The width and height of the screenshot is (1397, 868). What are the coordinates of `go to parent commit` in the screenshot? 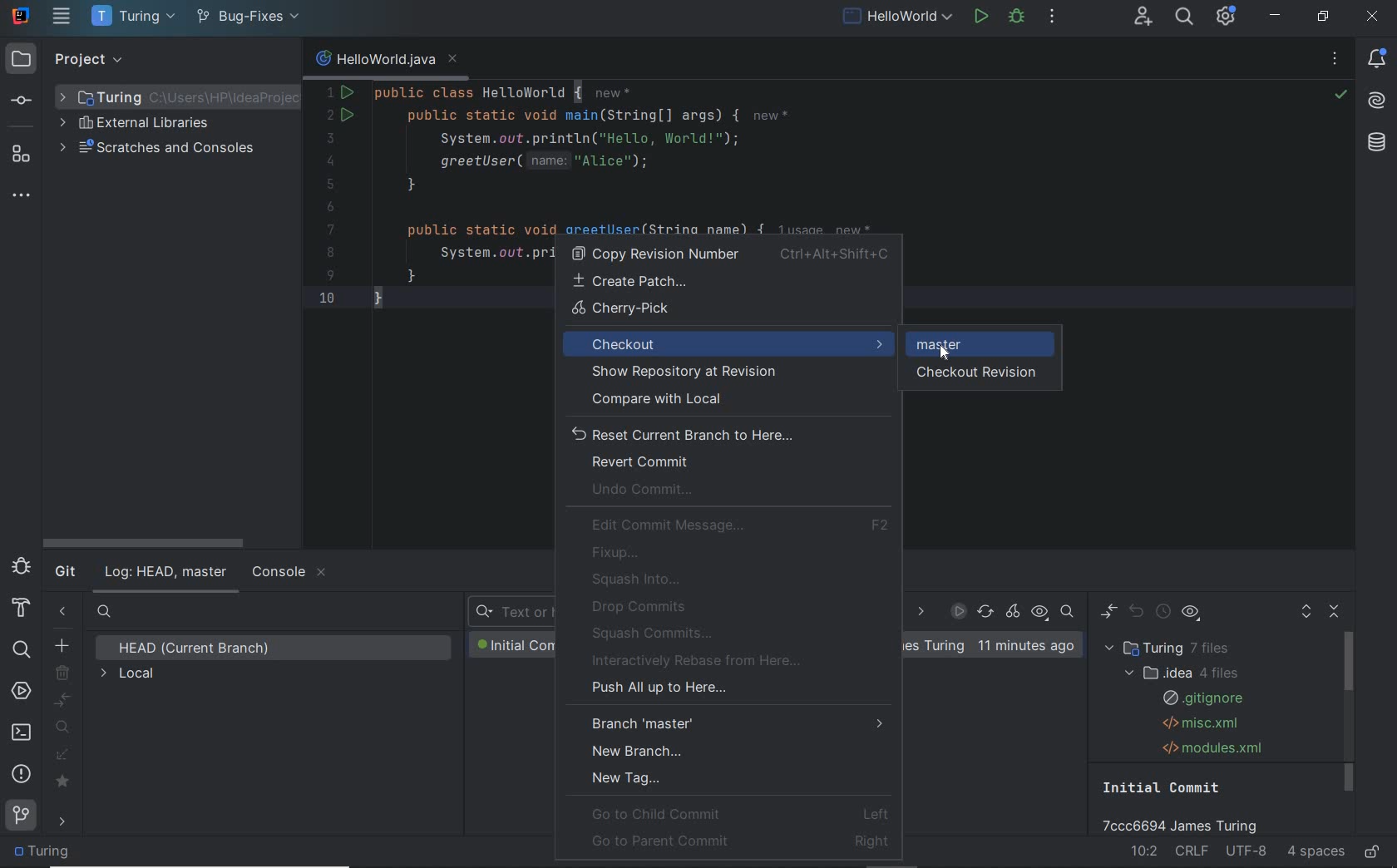 It's located at (741, 840).